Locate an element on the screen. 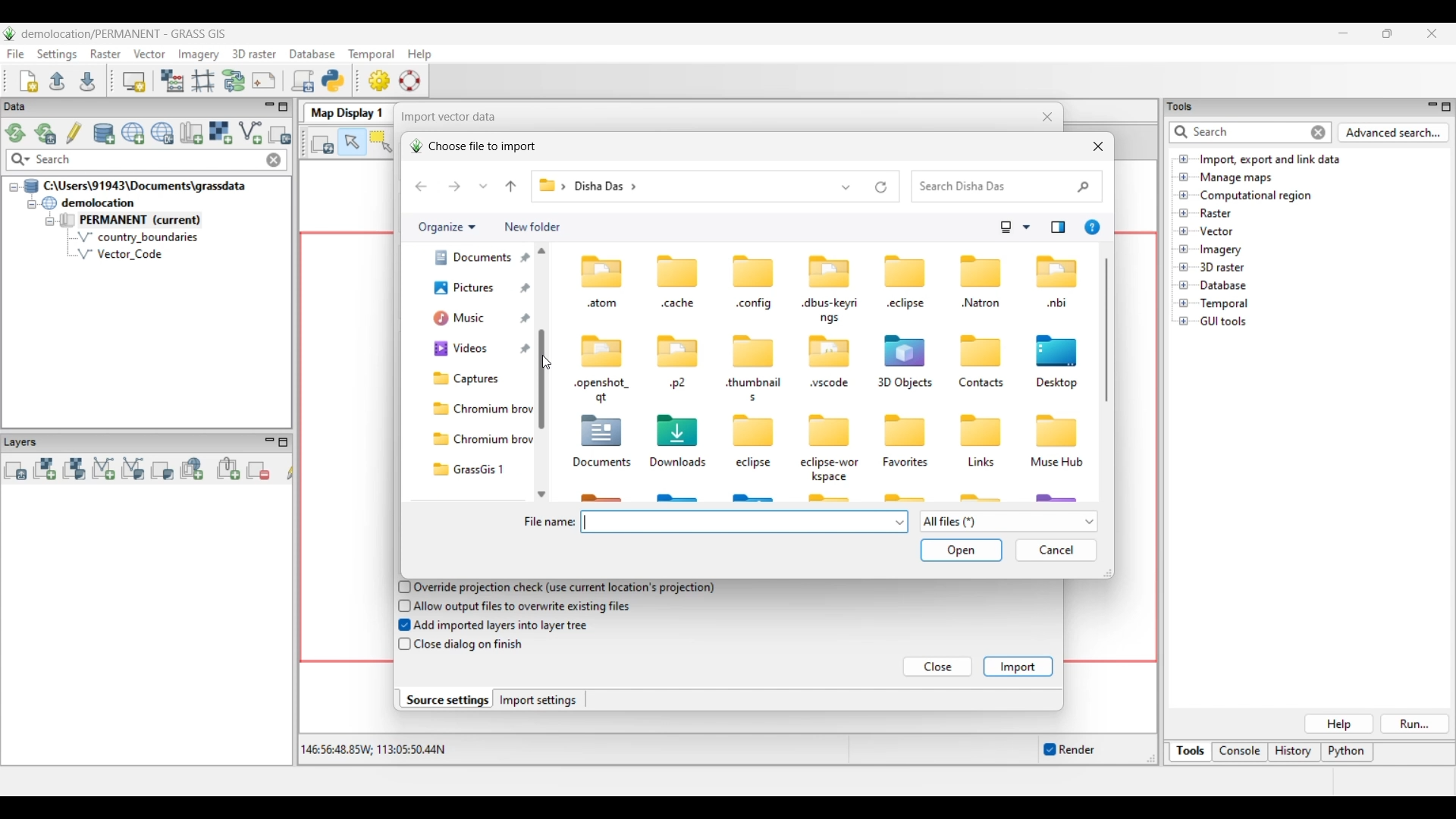 This screenshot has width=1456, height=819. icon is located at coordinates (981, 431).